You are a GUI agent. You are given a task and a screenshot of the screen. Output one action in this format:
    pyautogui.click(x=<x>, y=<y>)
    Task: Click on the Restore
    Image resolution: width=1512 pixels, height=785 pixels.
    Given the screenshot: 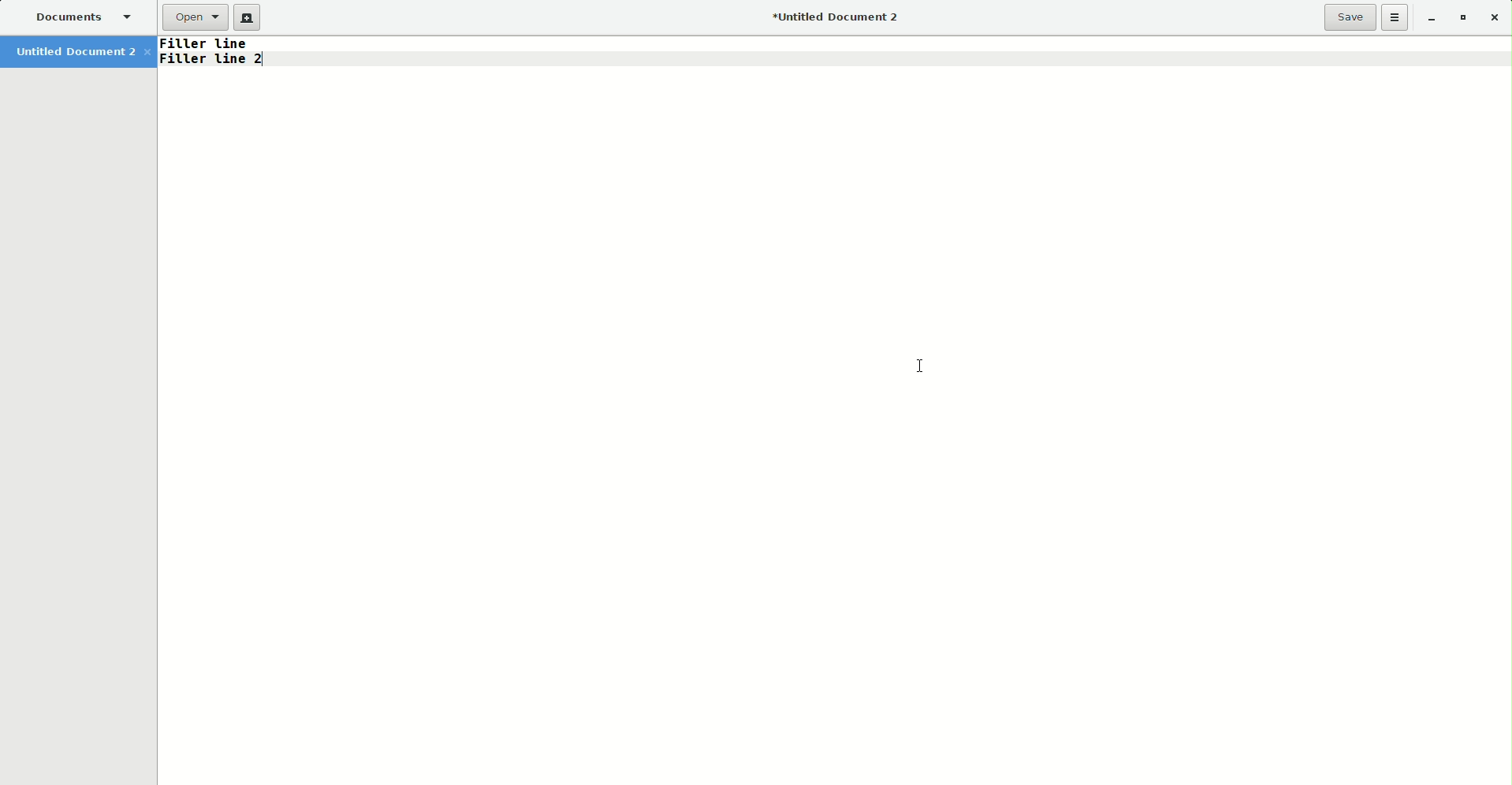 What is the action you would take?
    pyautogui.click(x=1462, y=18)
    